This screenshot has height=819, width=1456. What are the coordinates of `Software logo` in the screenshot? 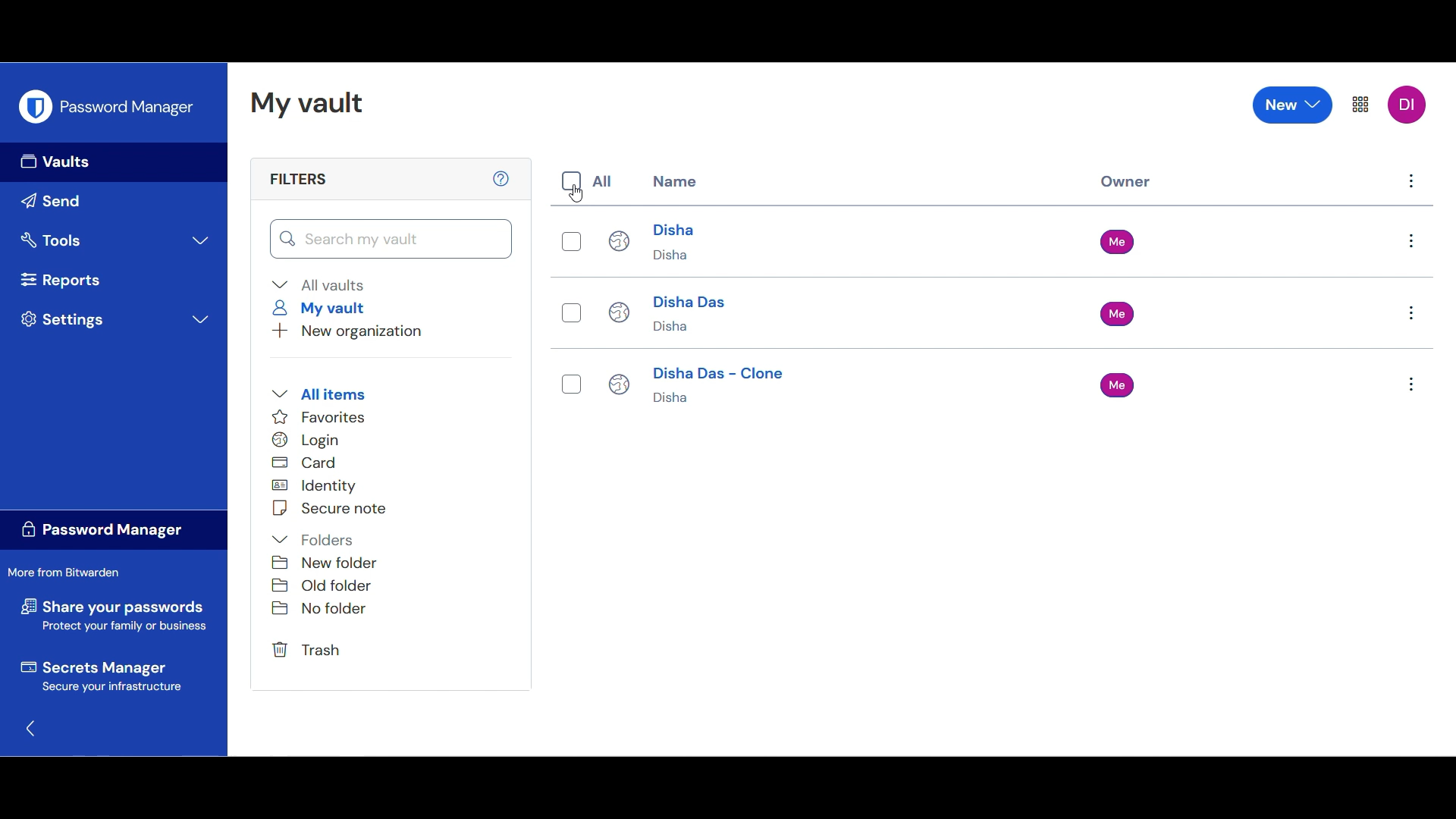 It's located at (35, 105).